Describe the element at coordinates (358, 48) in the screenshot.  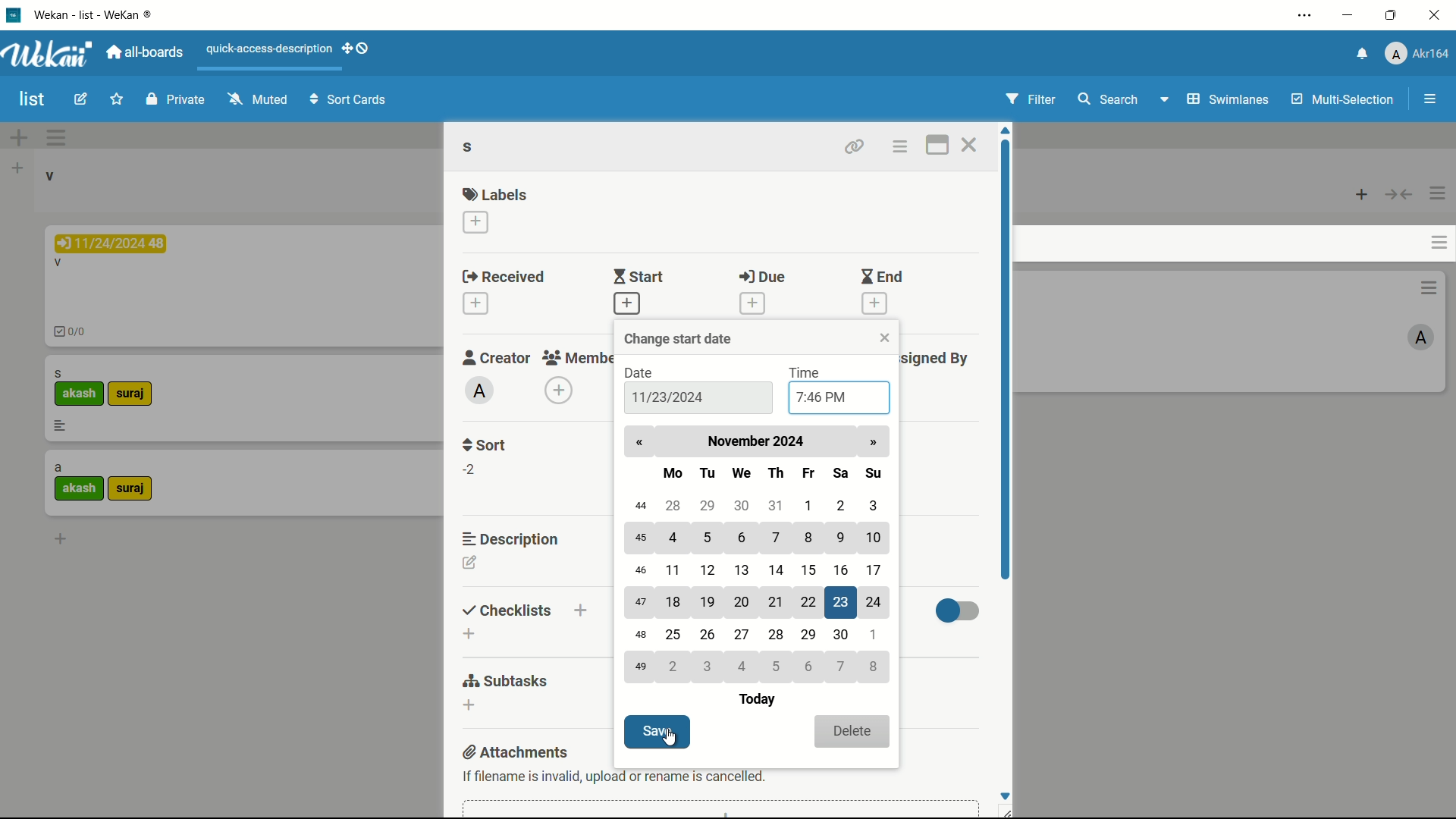
I see `show desktop drag handles` at that location.